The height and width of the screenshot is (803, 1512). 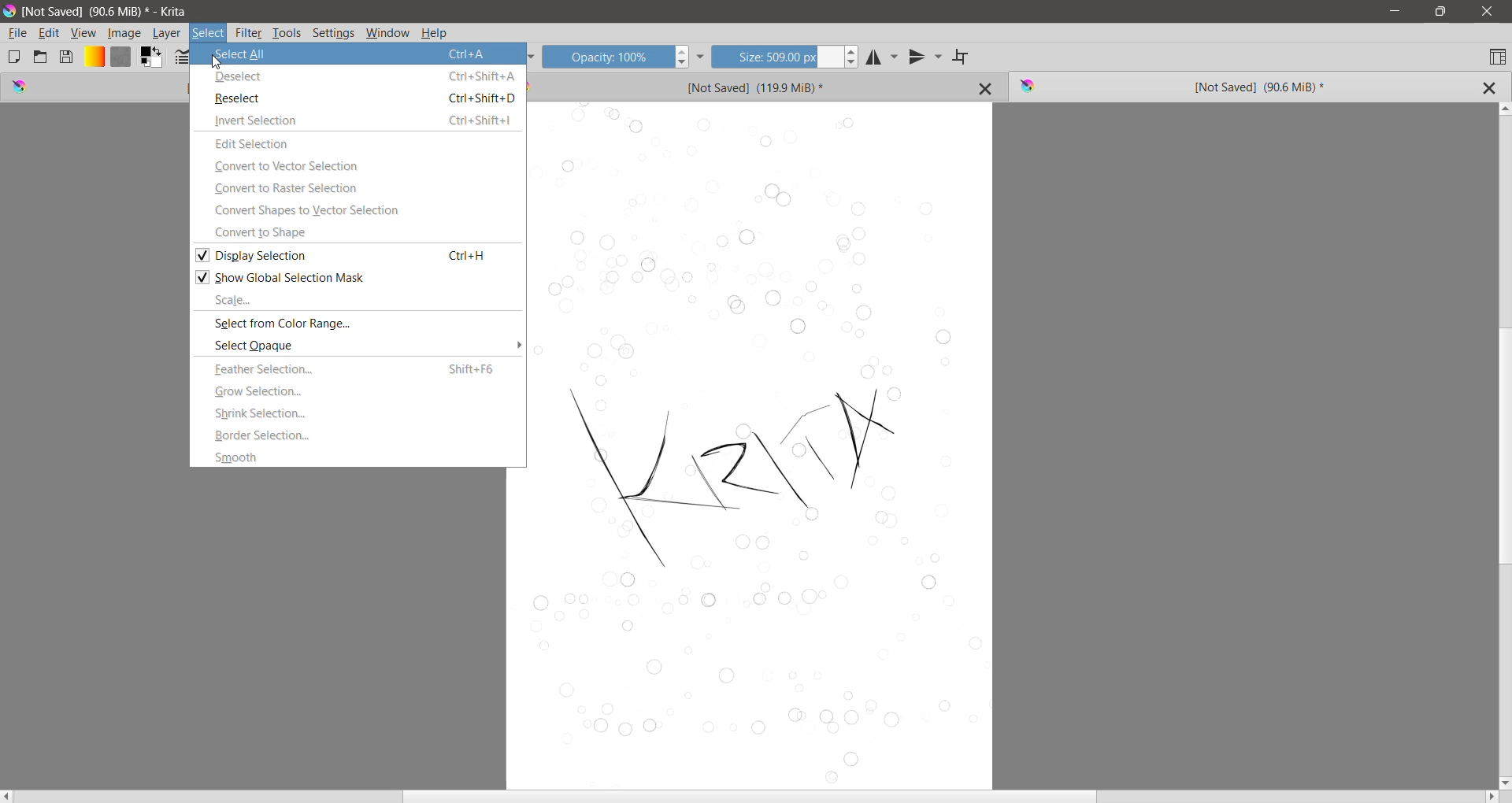 What do you see at coordinates (738, 86) in the screenshot?
I see `Unsaved Image Tab 2` at bounding box center [738, 86].